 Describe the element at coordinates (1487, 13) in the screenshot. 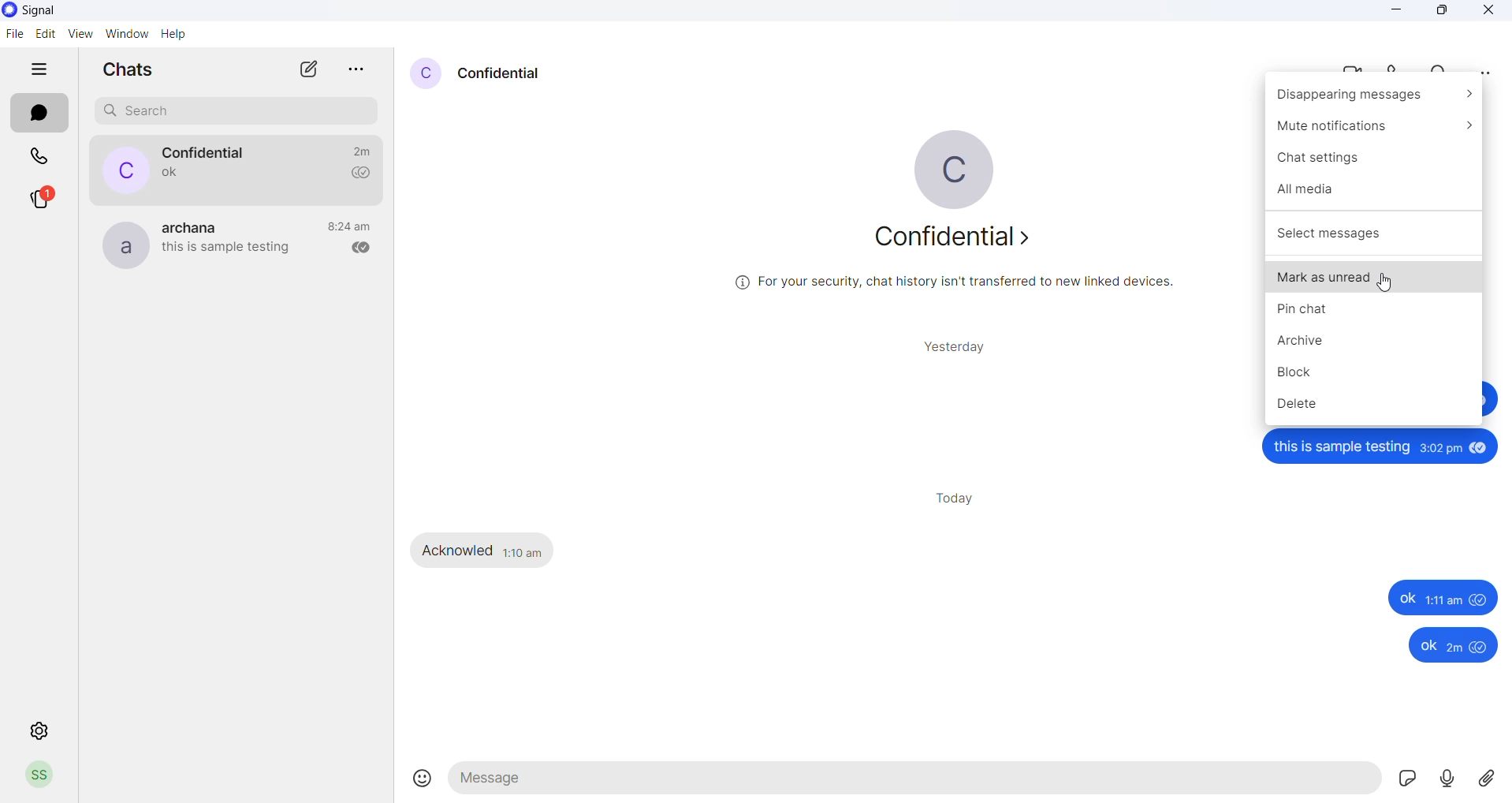

I see `close` at that location.